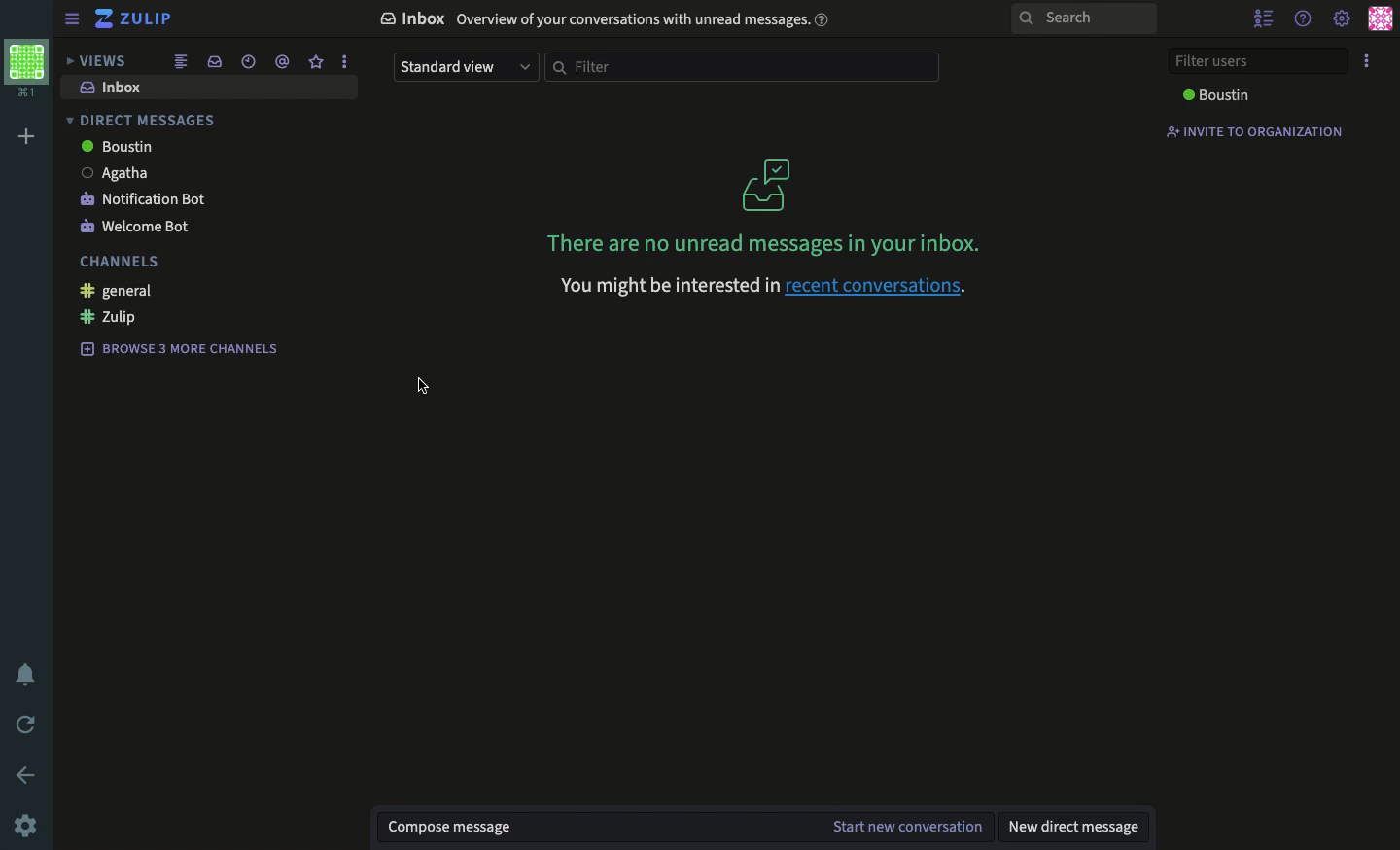 This screenshot has height=850, width=1400. What do you see at coordinates (252, 62) in the screenshot?
I see `recent conversation` at bounding box center [252, 62].